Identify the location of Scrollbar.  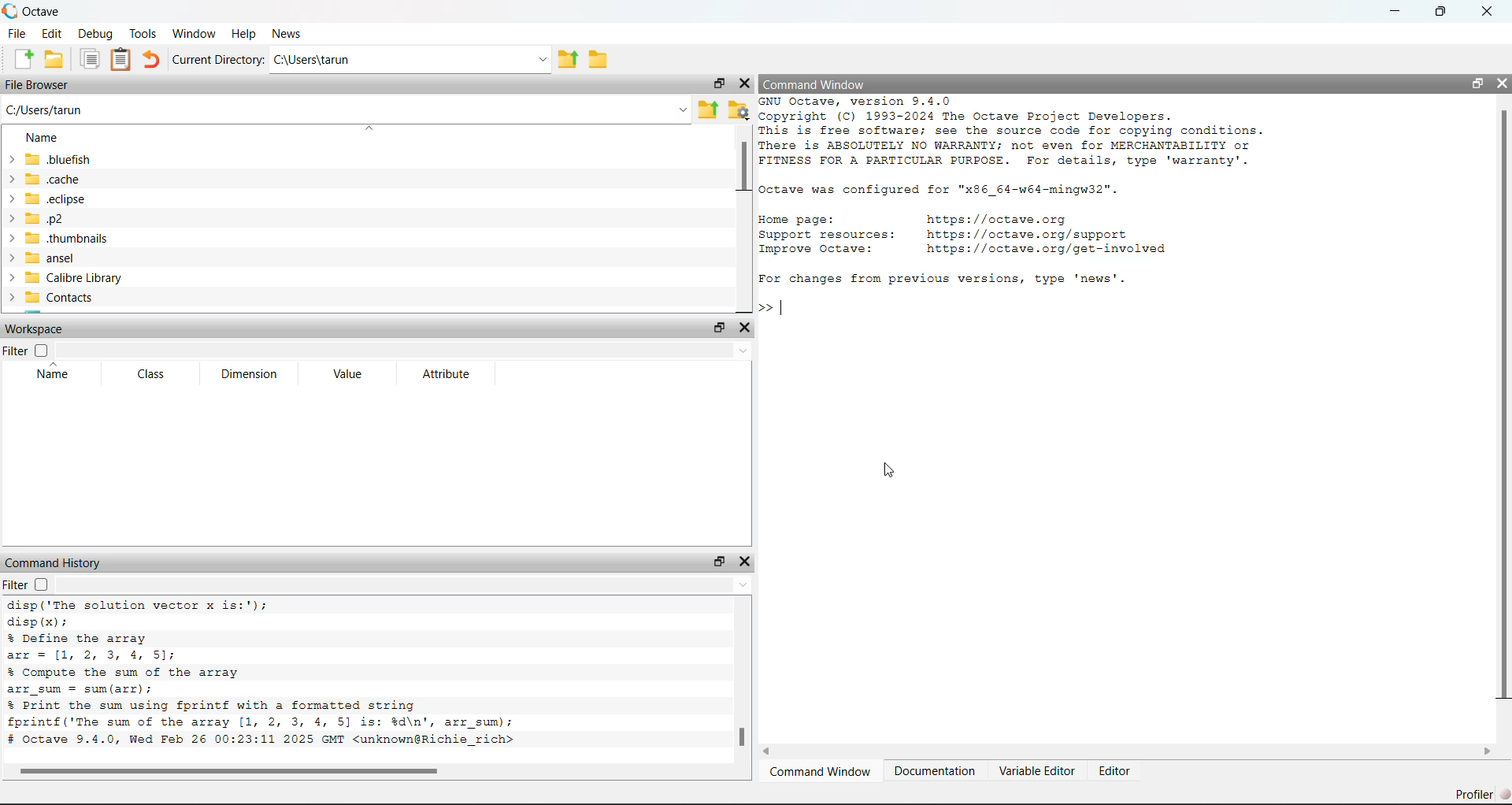
(740, 737).